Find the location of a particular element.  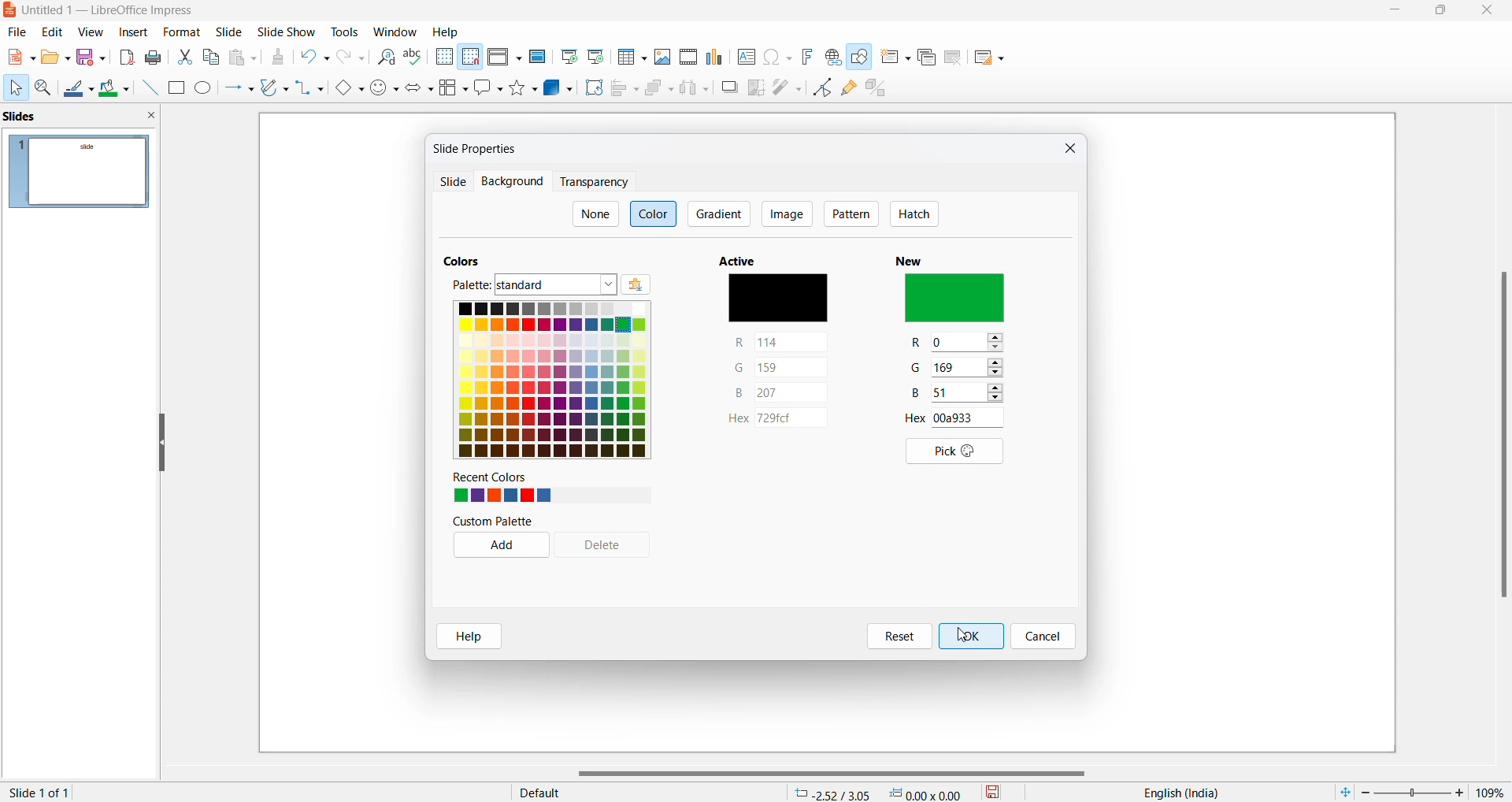

gradient  is located at coordinates (721, 213).